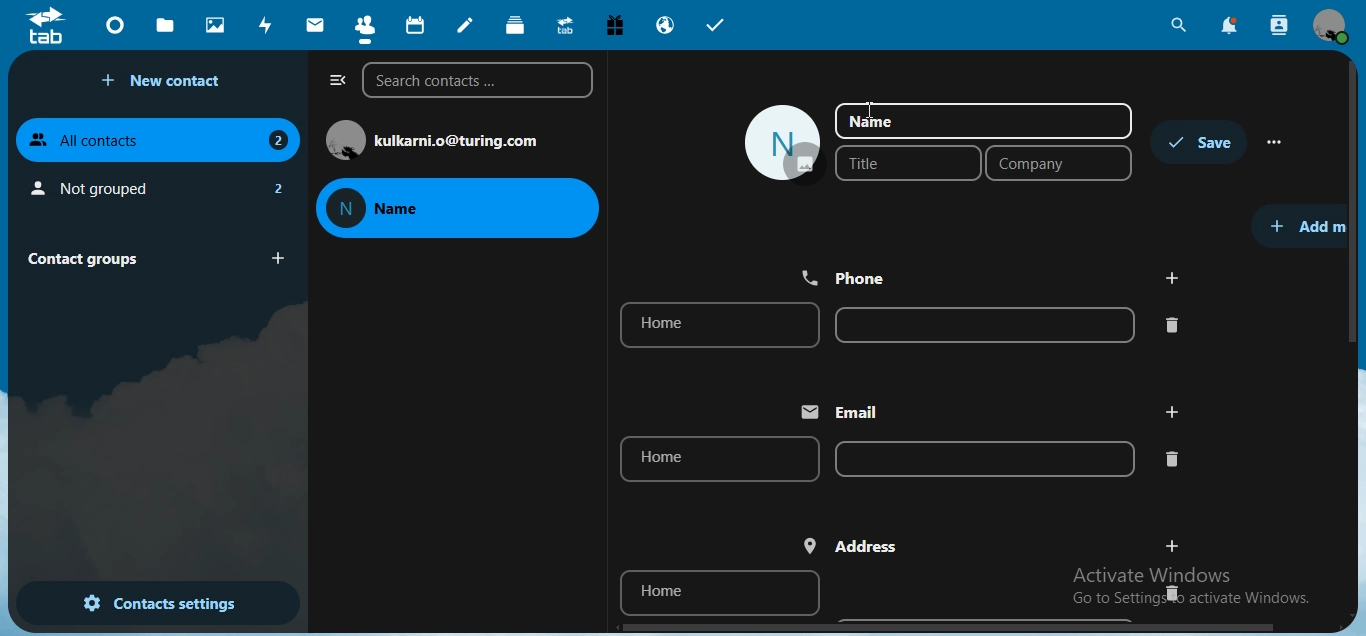 This screenshot has width=1366, height=636. What do you see at coordinates (1280, 27) in the screenshot?
I see `search contacts` at bounding box center [1280, 27].